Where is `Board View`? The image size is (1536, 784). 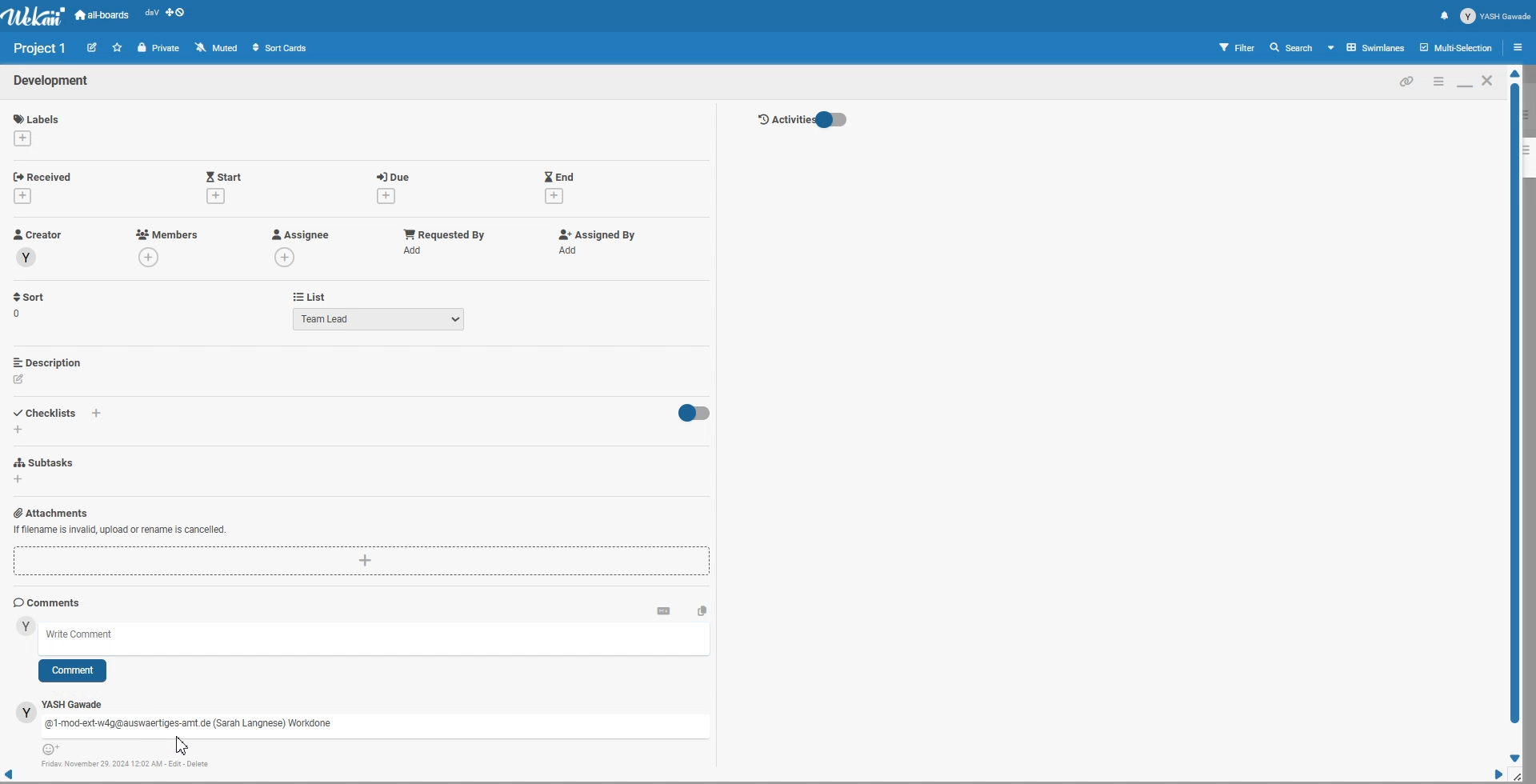 Board View is located at coordinates (1367, 47).